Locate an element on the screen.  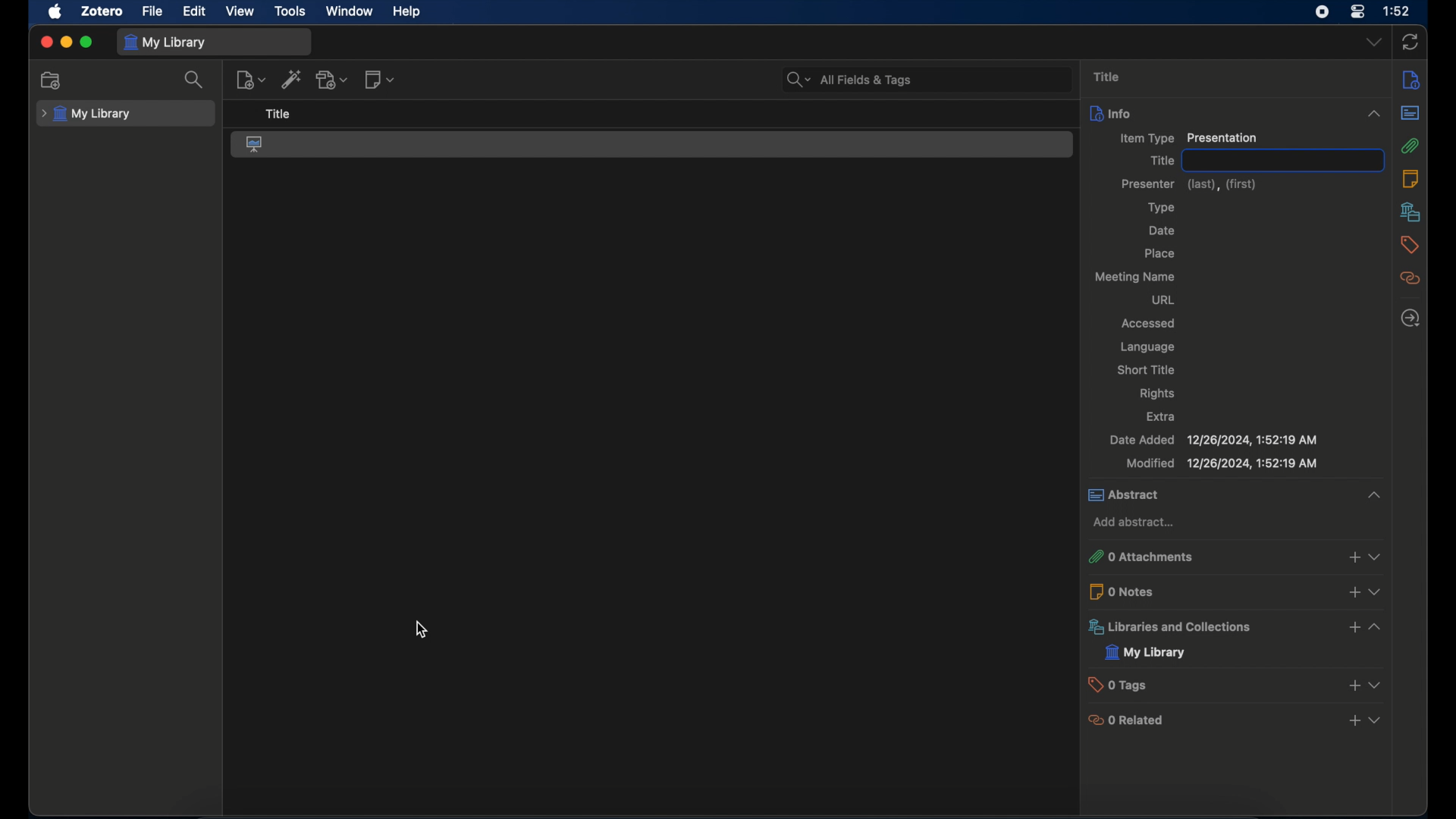
add abstract is located at coordinates (1136, 522).